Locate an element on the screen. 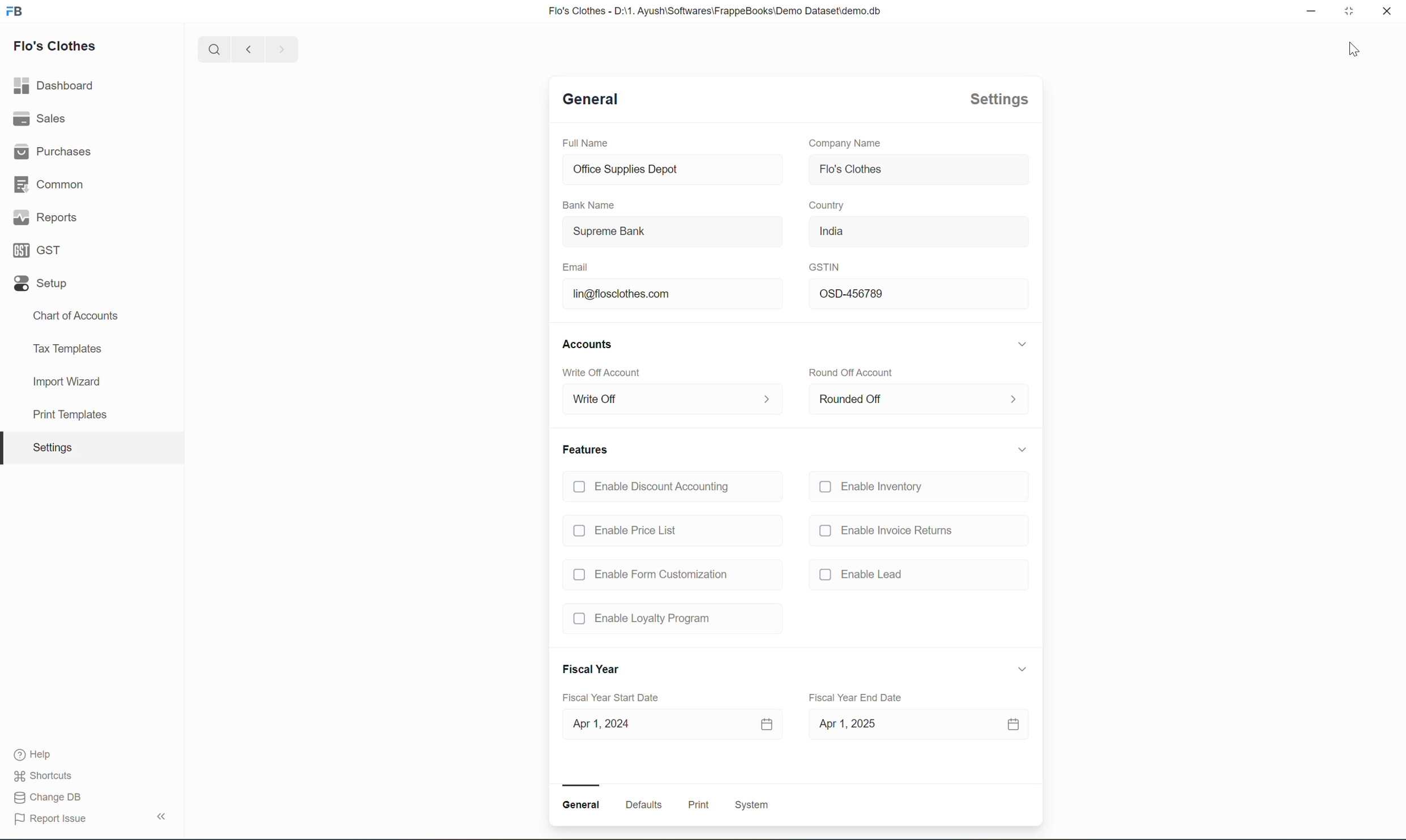  Import Wizard is located at coordinates (63, 383).